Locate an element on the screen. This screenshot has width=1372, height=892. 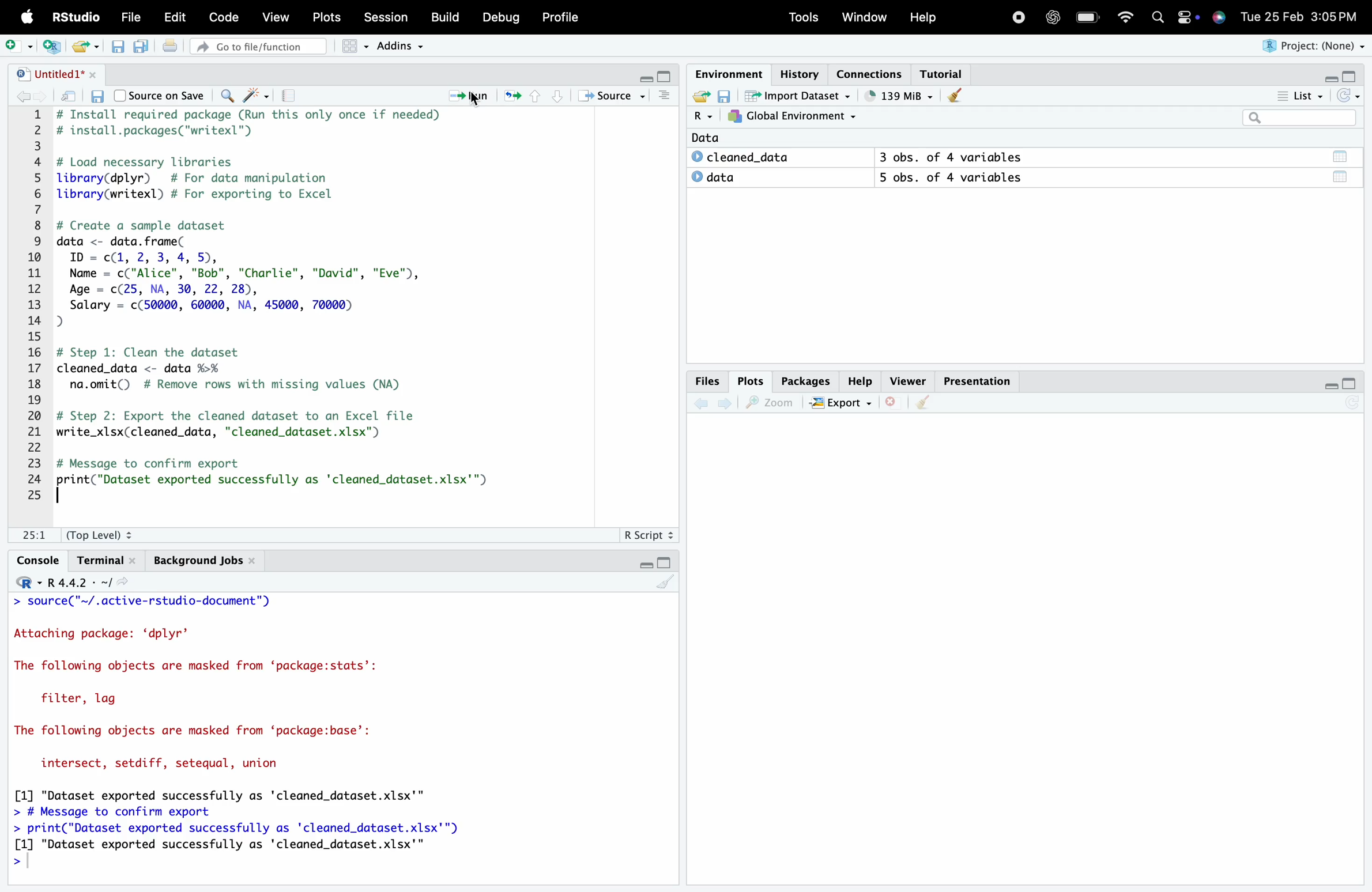
Plots is located at coordinates (752, 379).